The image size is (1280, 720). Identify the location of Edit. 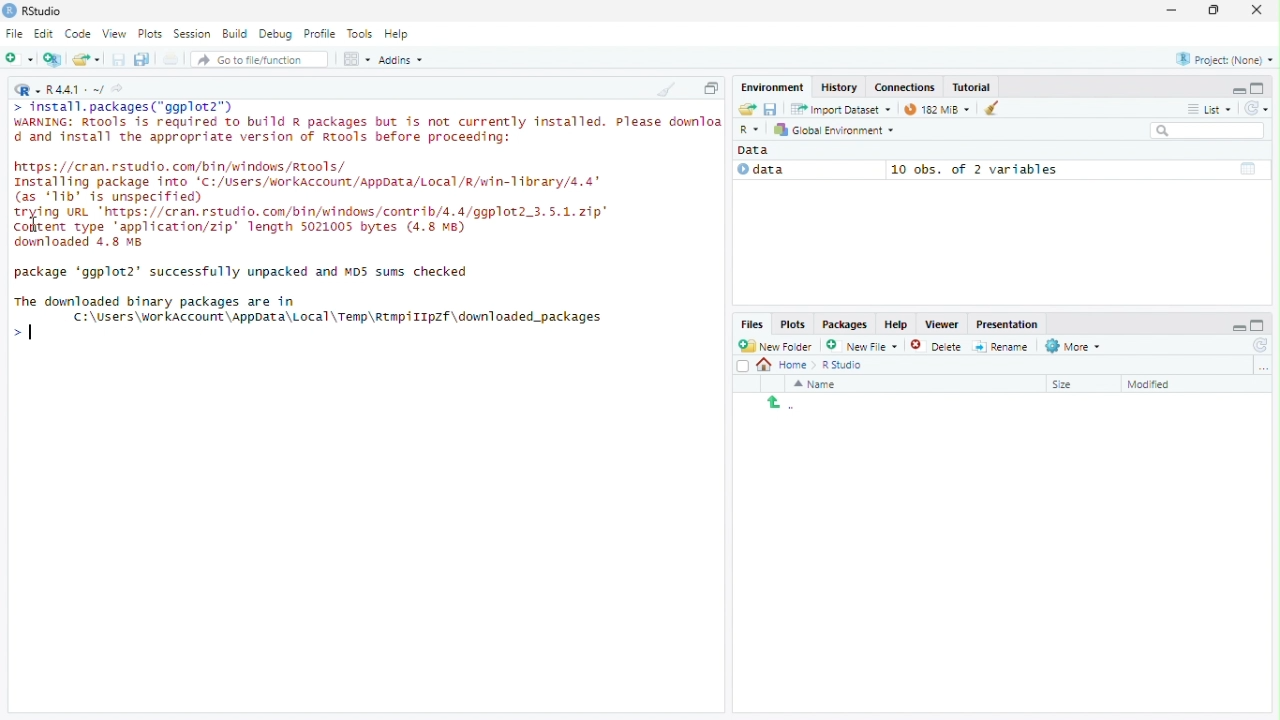
(45, 34).